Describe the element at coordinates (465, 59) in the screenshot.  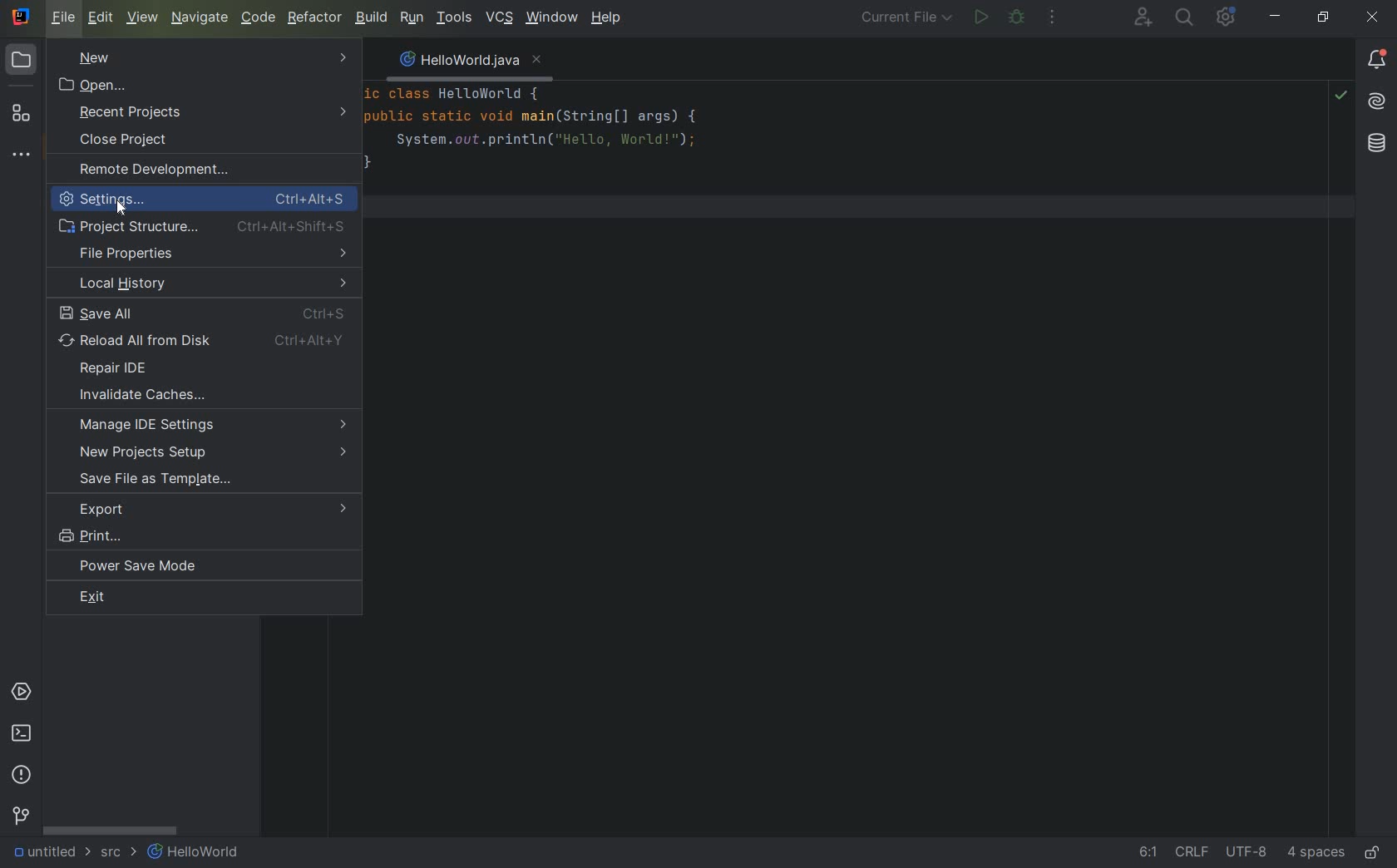
I see `HelloWorld.java` at that location.